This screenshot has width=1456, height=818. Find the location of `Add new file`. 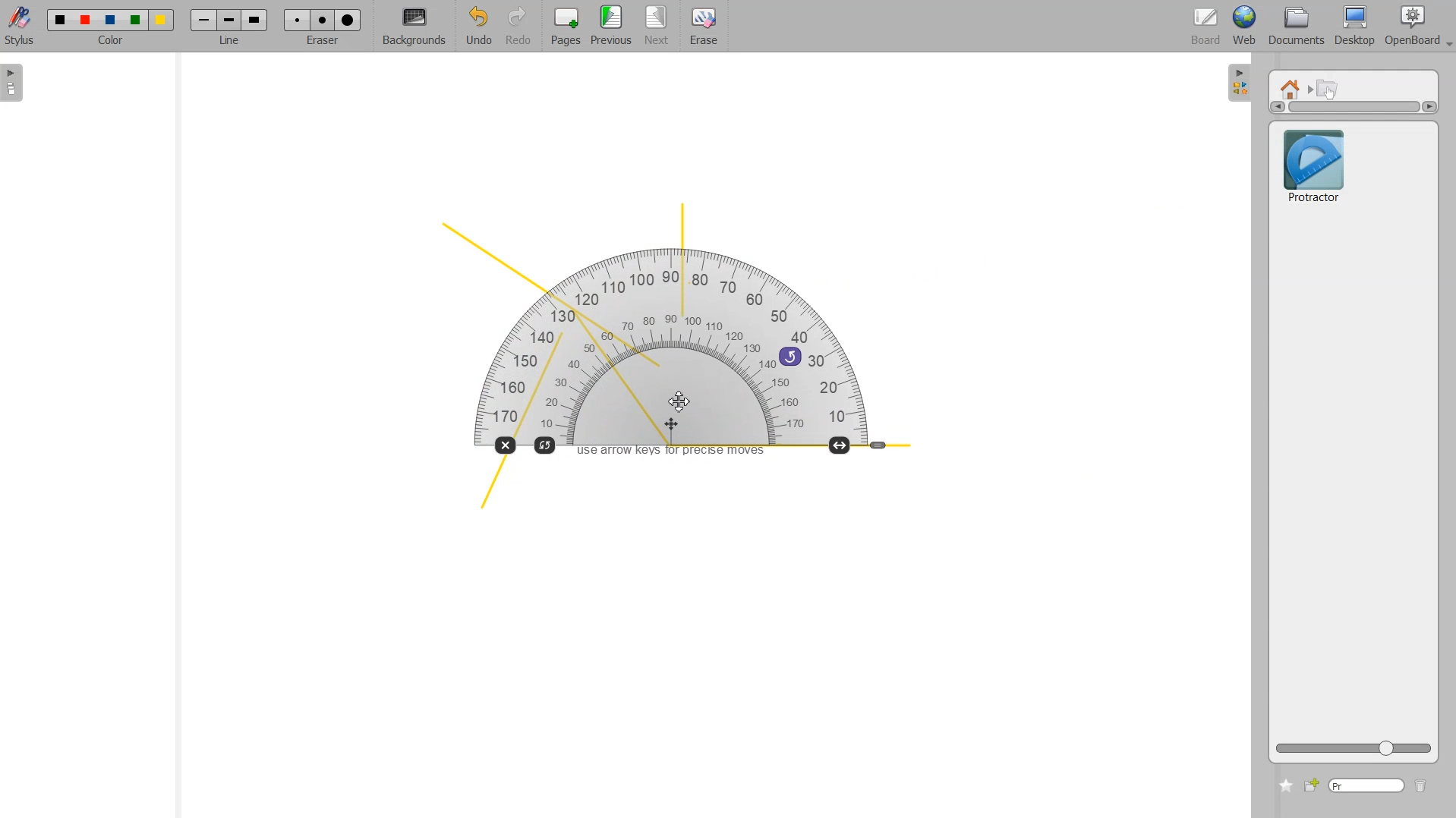

Add new file is located at coordinates (1310, 785).